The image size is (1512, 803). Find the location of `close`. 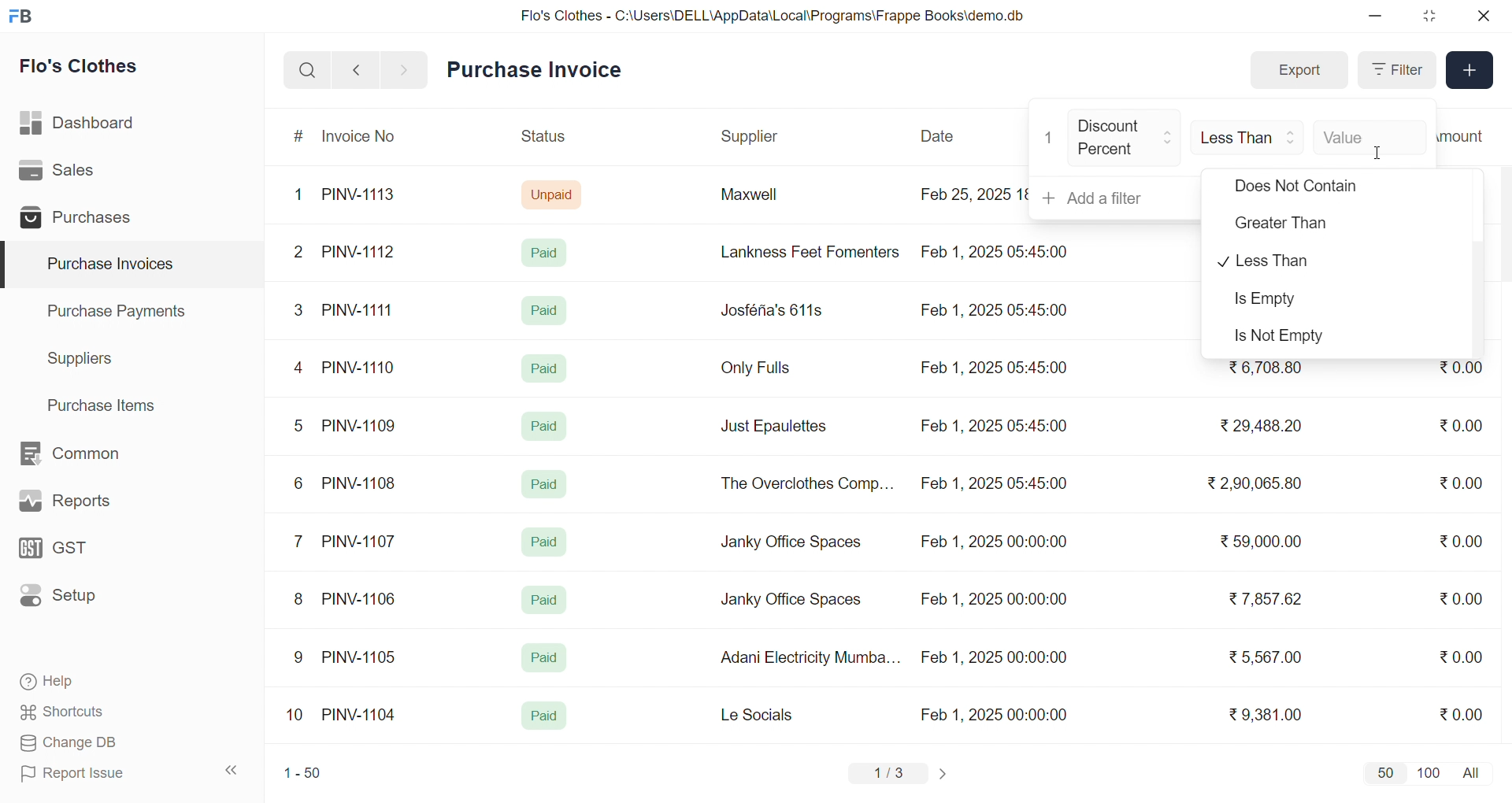

close is located at coordinates (1482, 16).